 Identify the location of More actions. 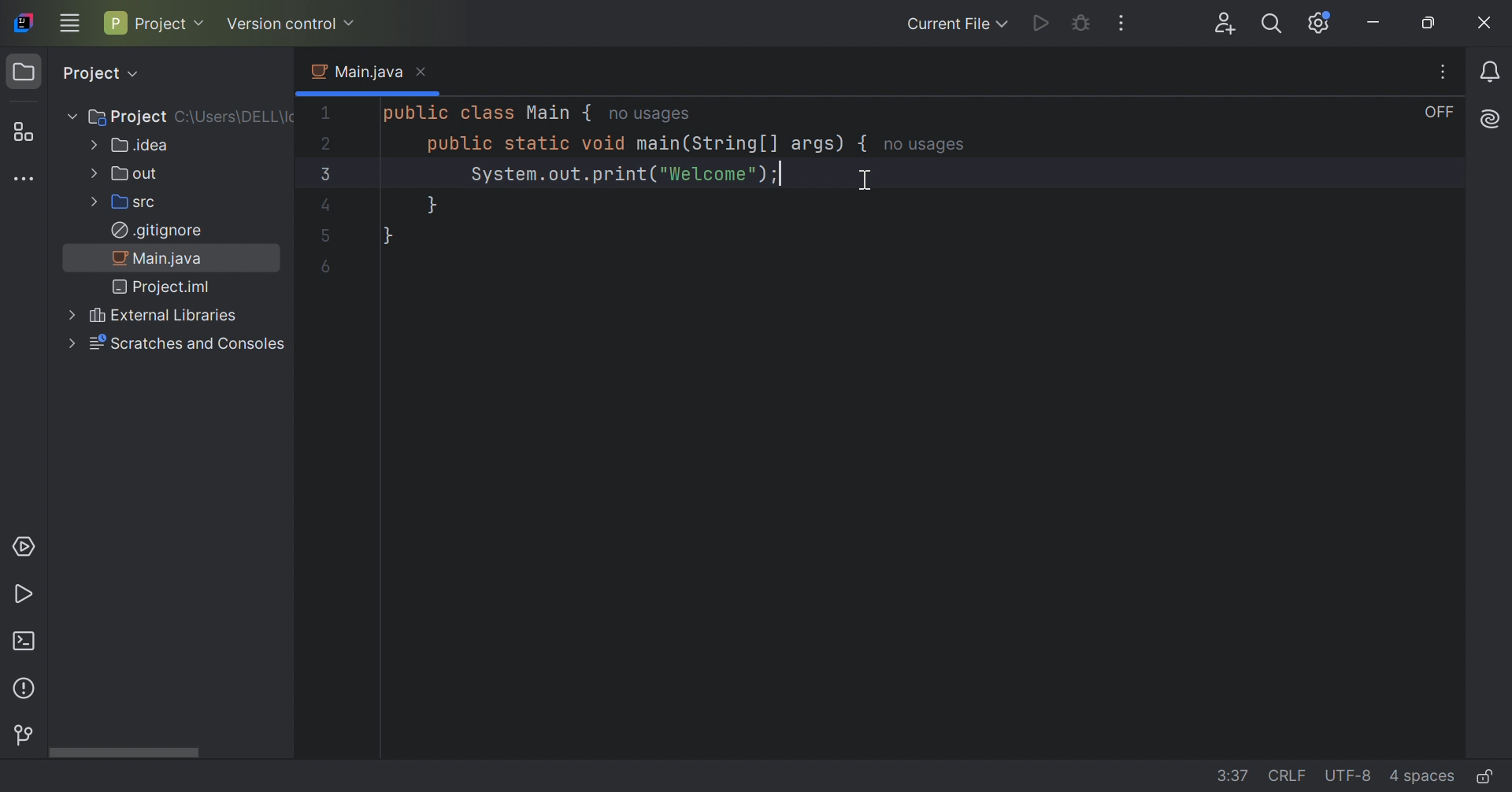
(1119, 24).